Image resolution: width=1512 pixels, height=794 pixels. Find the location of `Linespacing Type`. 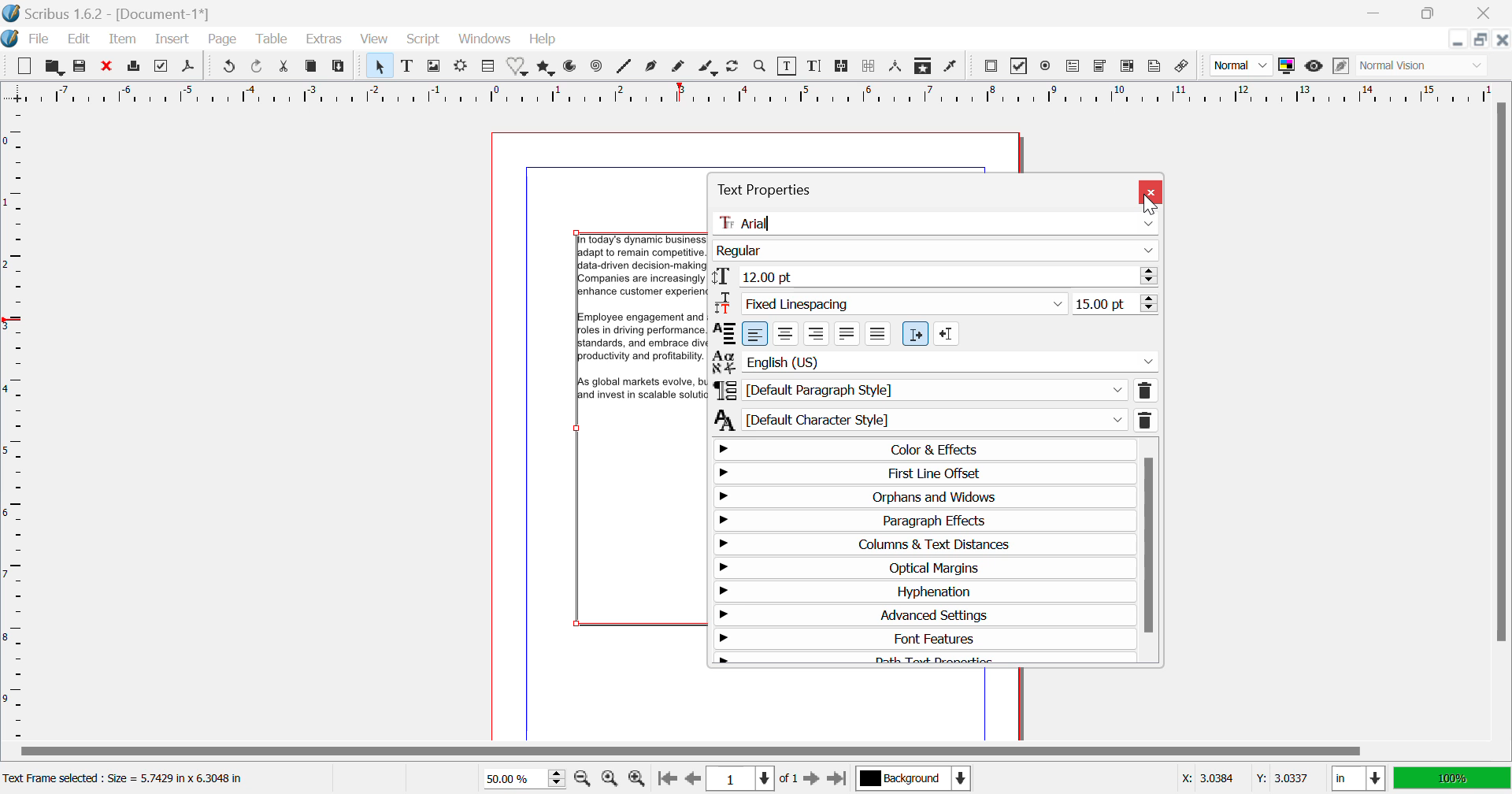

Linespacing Type is located at coordinates (889, 306).